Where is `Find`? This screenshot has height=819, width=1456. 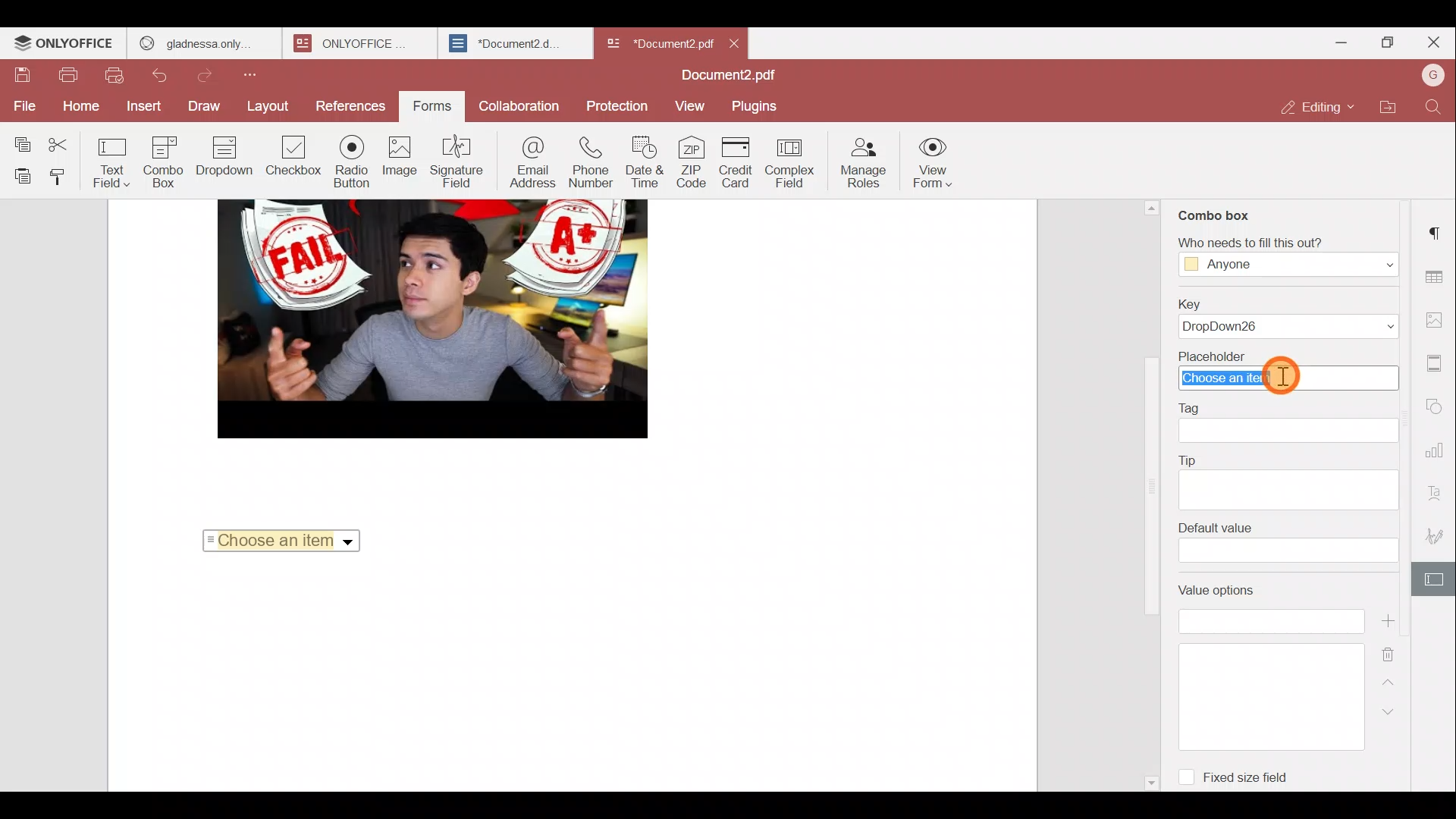
Find is located at coordinates (1433, 110).